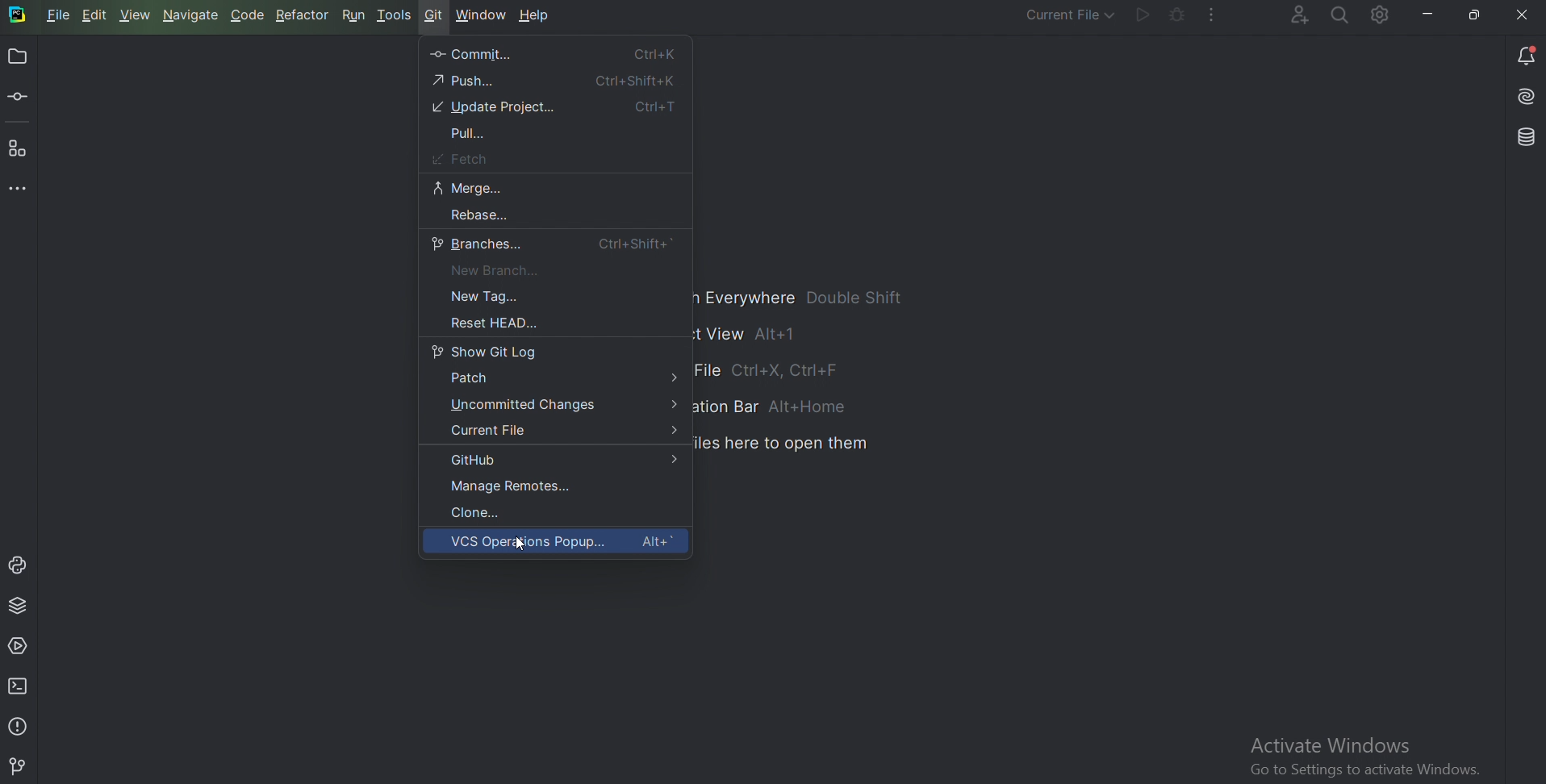 The height and width of the screenshot is (784, 1546). I want to click on Fetch, so click(456, 159).